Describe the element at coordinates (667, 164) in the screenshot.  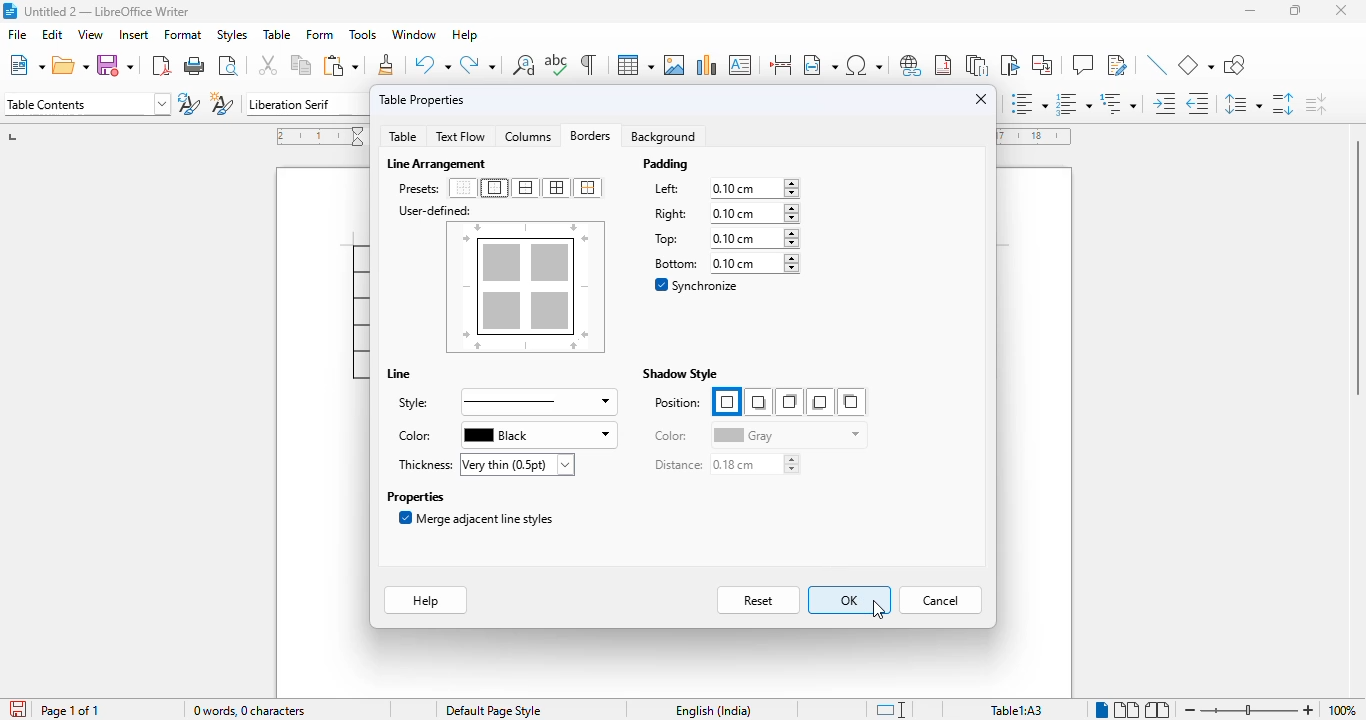
I see `padding` at that location.